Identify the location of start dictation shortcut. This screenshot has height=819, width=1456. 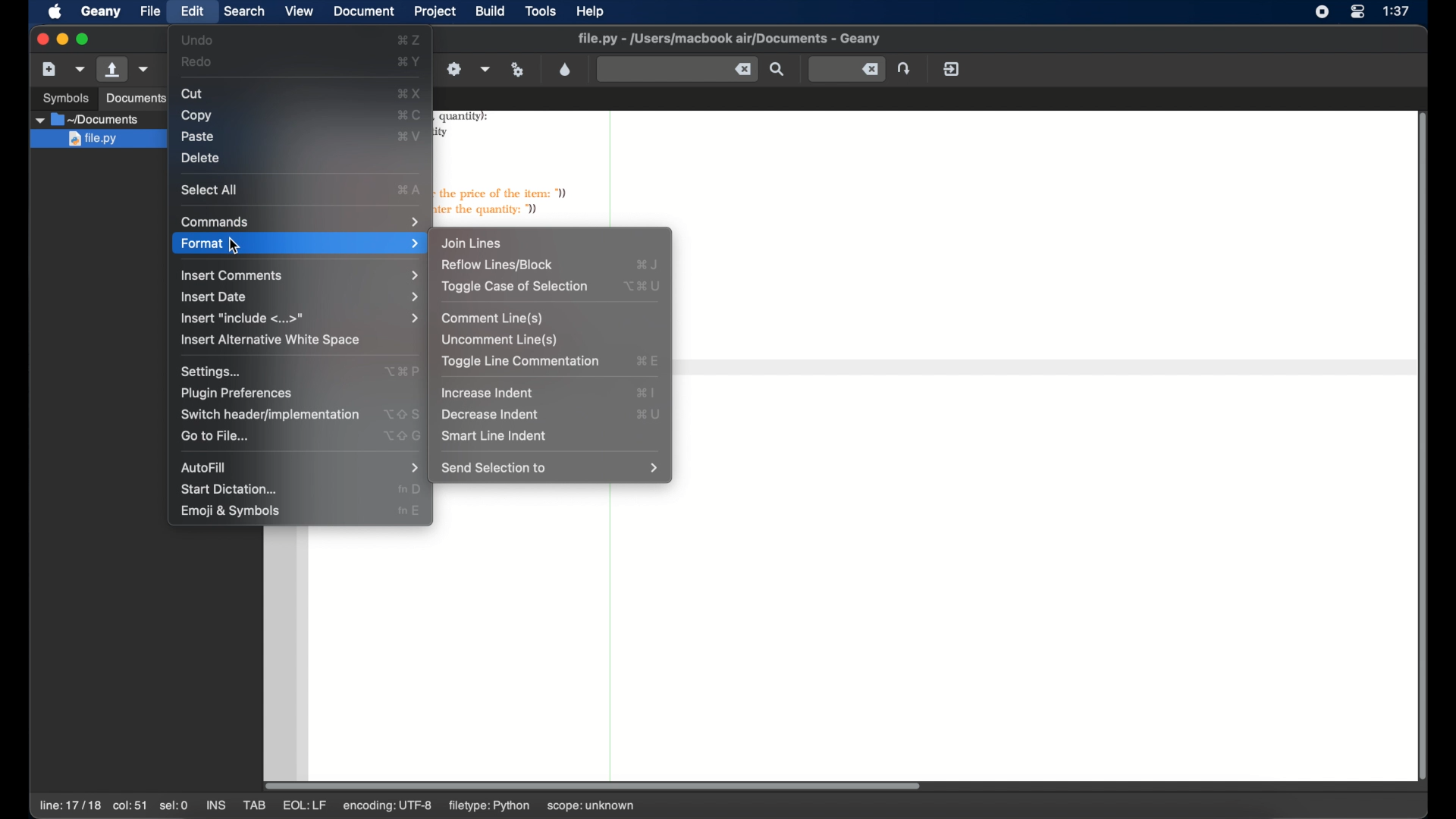
(409, 490).